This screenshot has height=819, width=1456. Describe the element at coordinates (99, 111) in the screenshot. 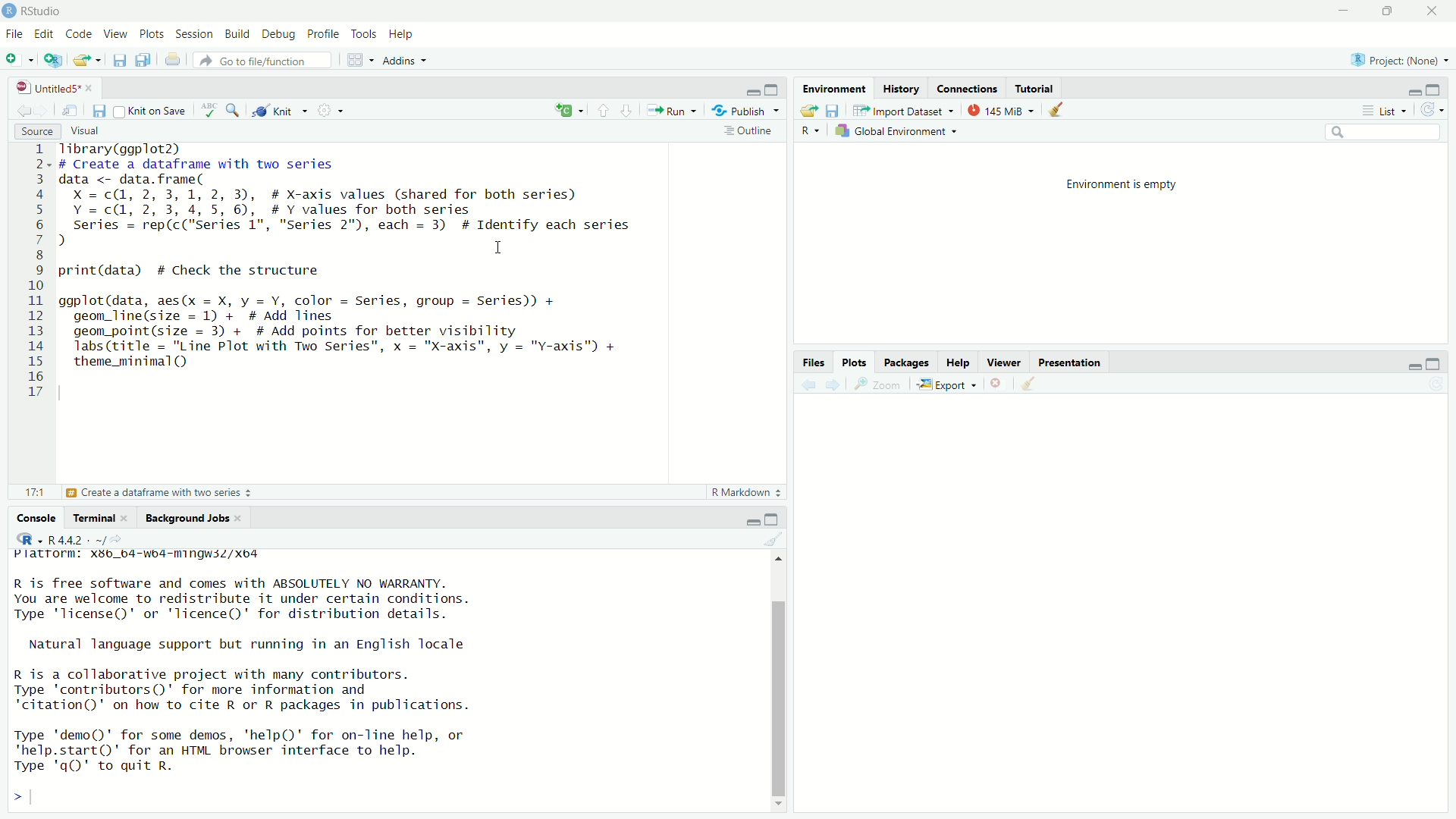

I see `Save current document` at that location.